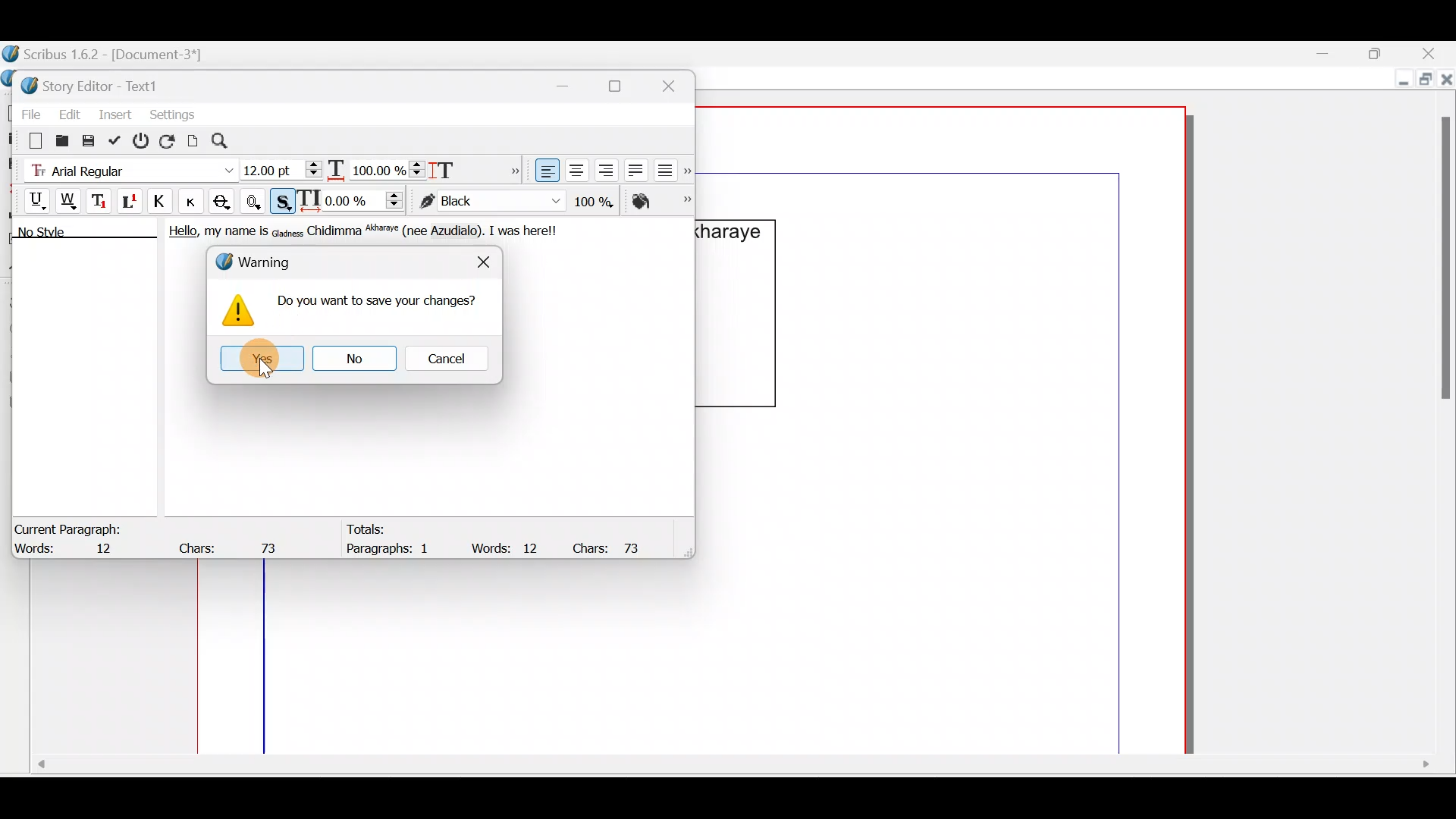  What do you see at coordinates (284, 199) in the screenshot?
I see `Shadowed text` at bounding box center [284, 199].